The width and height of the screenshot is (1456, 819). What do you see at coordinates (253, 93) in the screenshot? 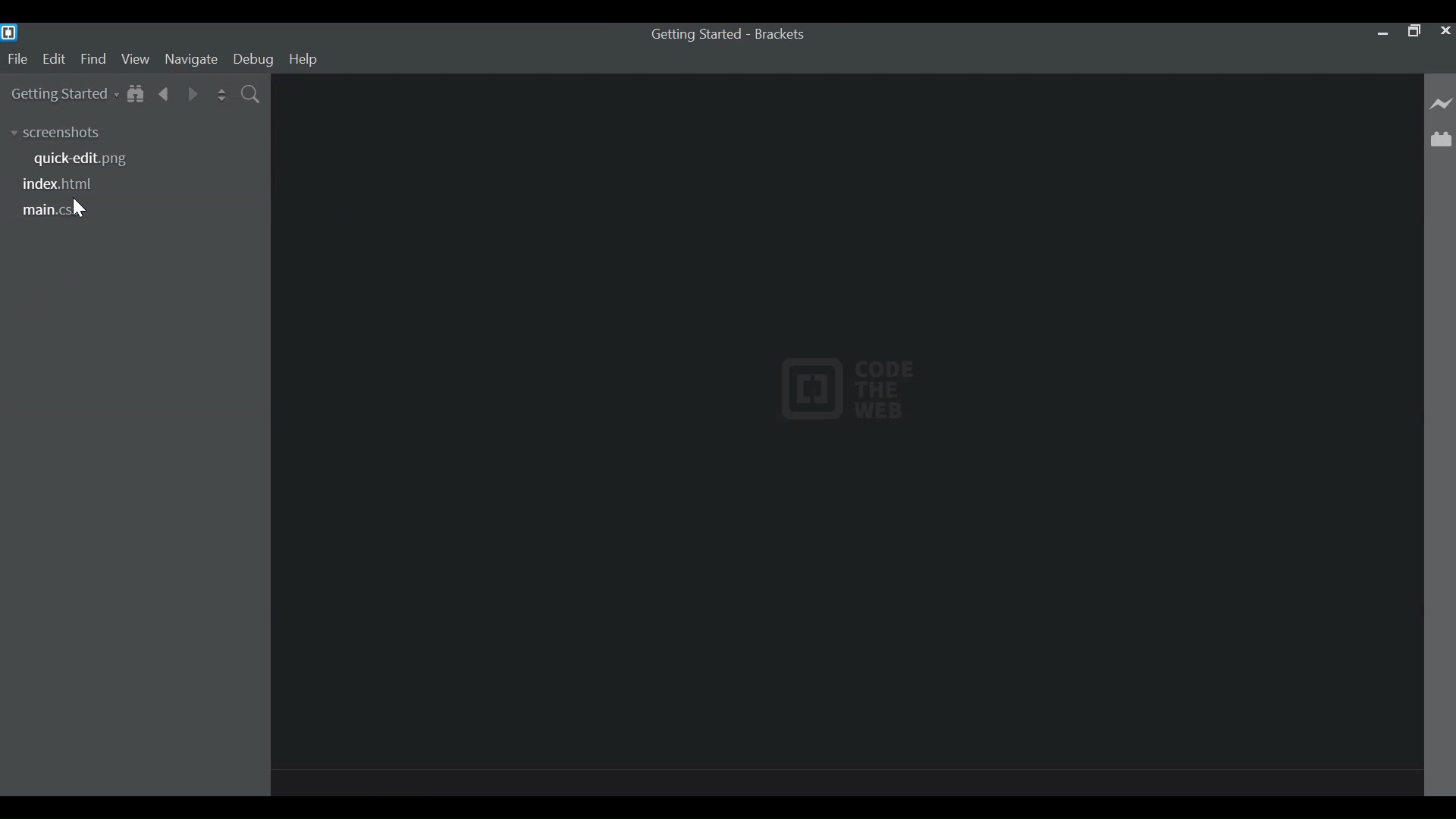
I see `Find in Files` at bounding box center [253, 93].